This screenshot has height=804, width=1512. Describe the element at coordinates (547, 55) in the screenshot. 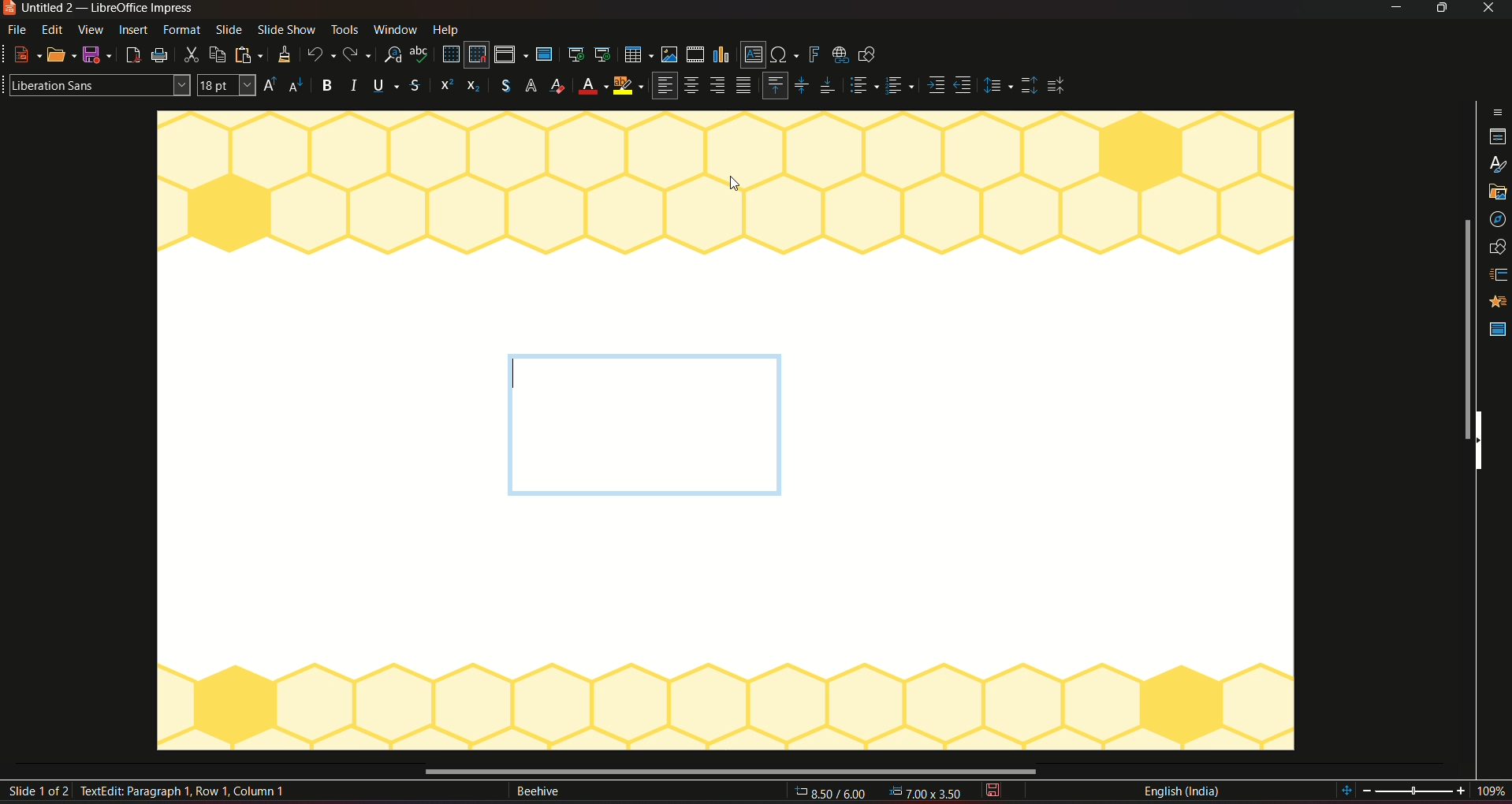

I see `master slide` at that location.